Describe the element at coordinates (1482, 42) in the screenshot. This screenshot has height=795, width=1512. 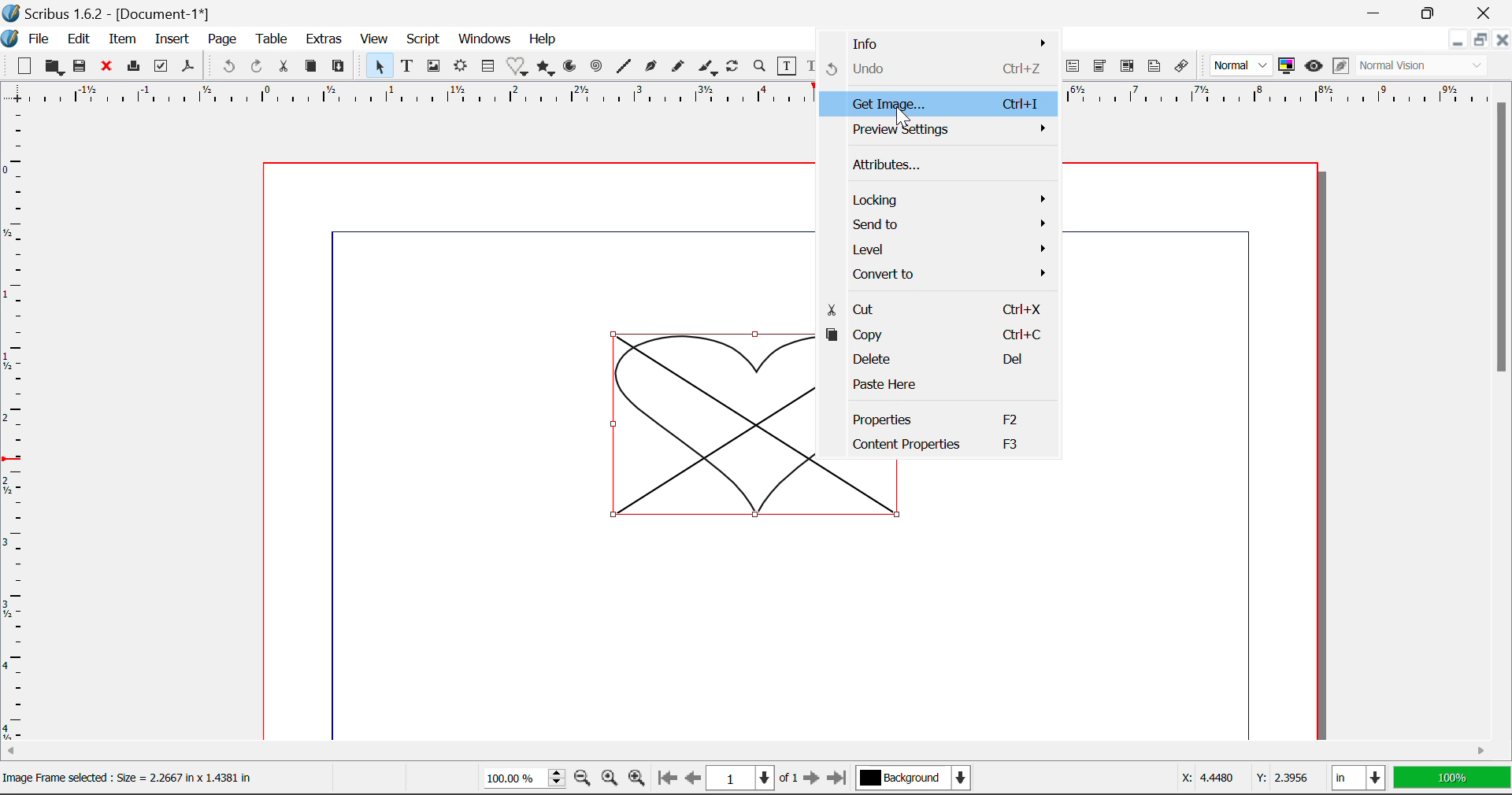
I see `Minimize` at that location.